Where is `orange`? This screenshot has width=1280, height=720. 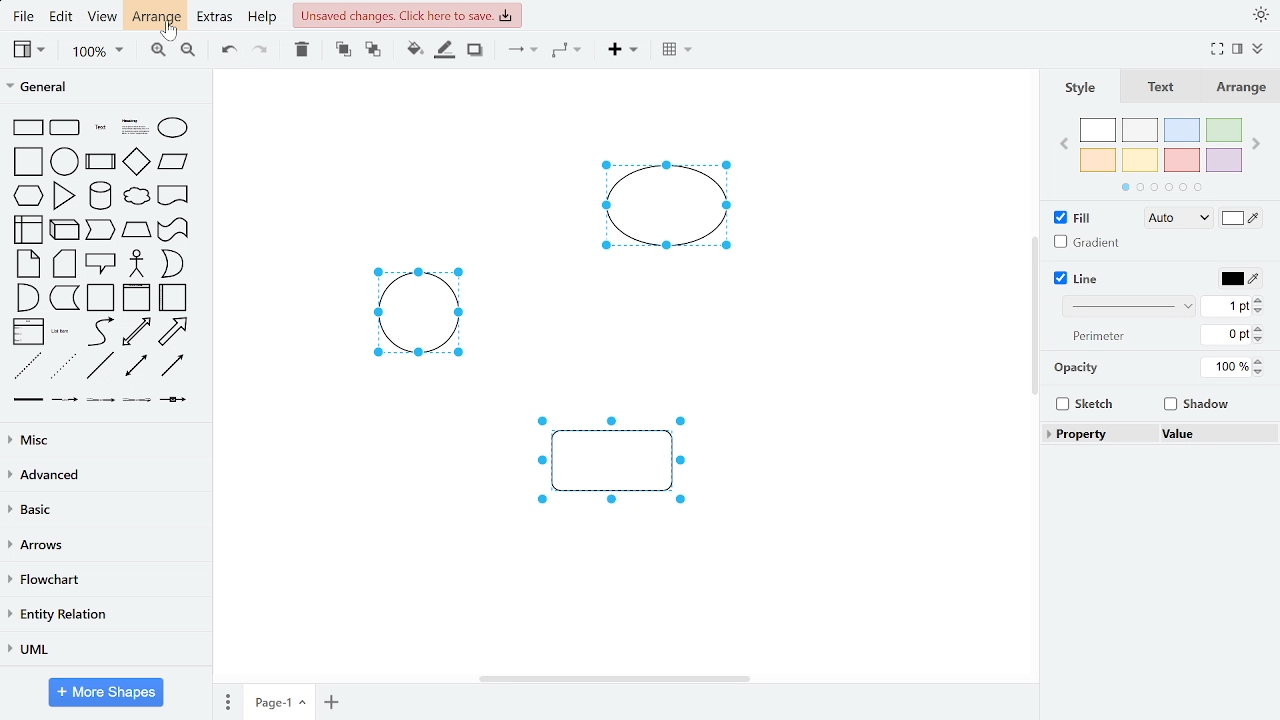
orange is located at coordinates (1098, 160).